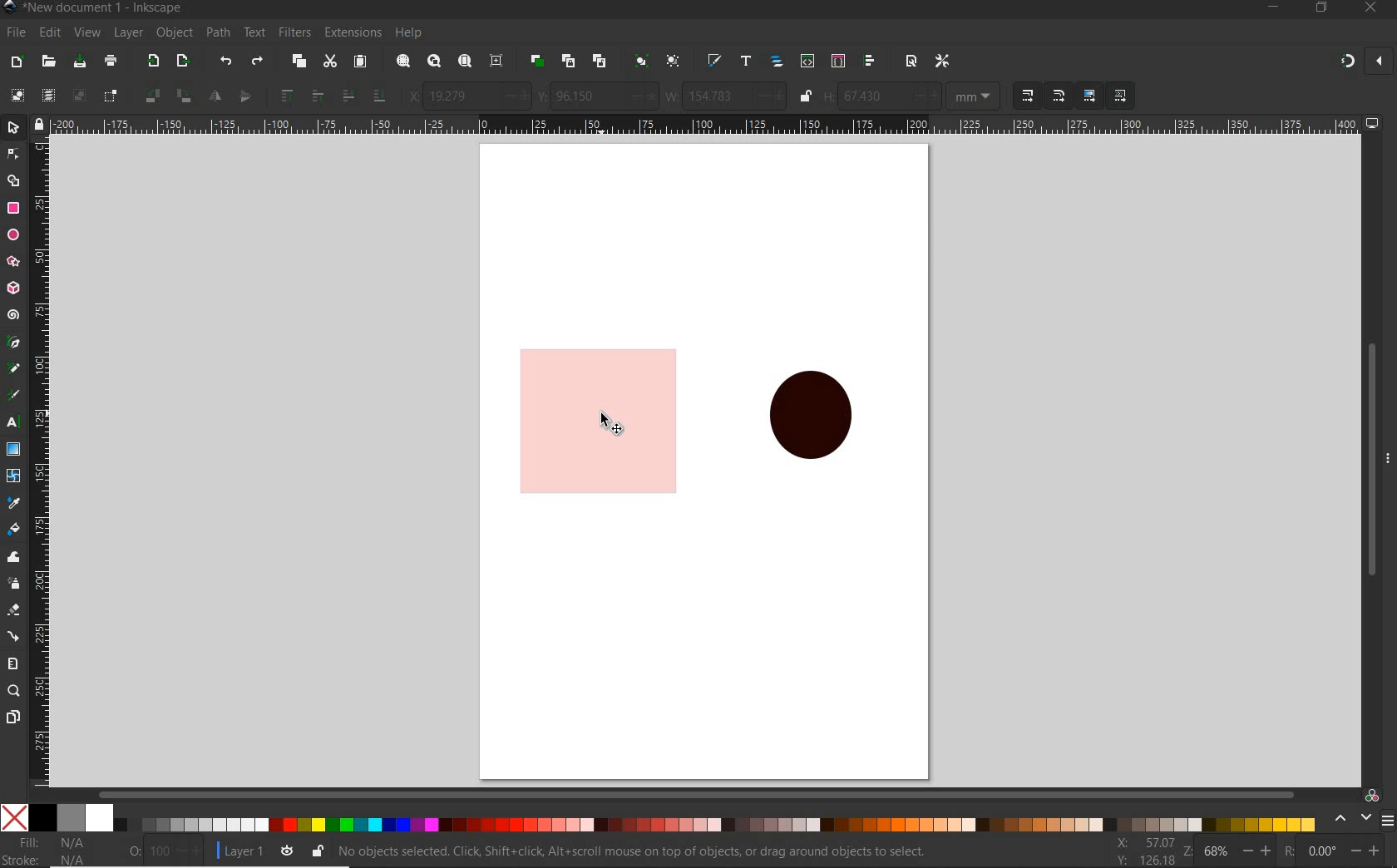  Describe the element at coordinates (12, 209) in the screenshot. I see `rectangle tool` at that location.